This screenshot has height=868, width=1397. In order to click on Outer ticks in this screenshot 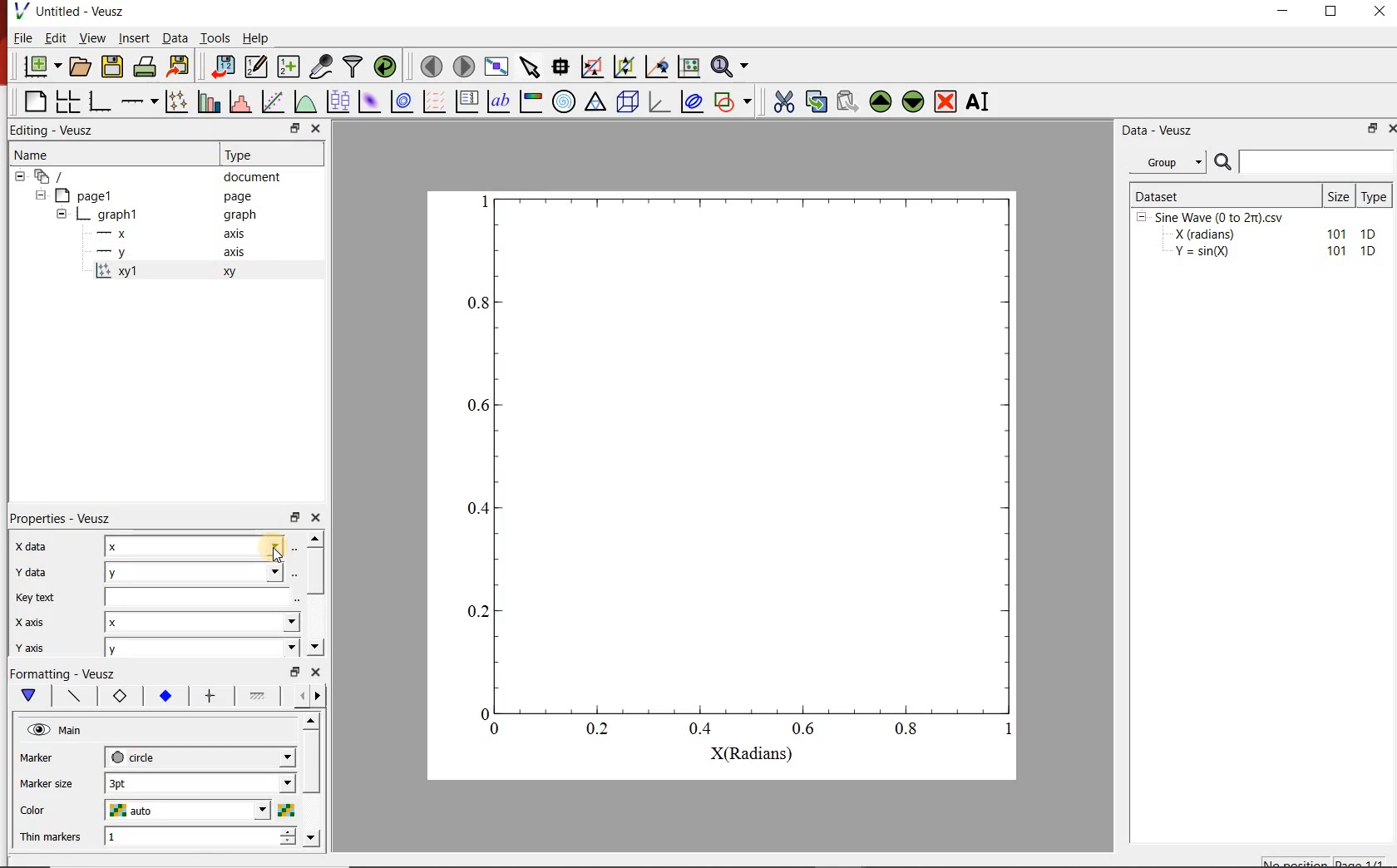, I will do `click(619, 814)`.